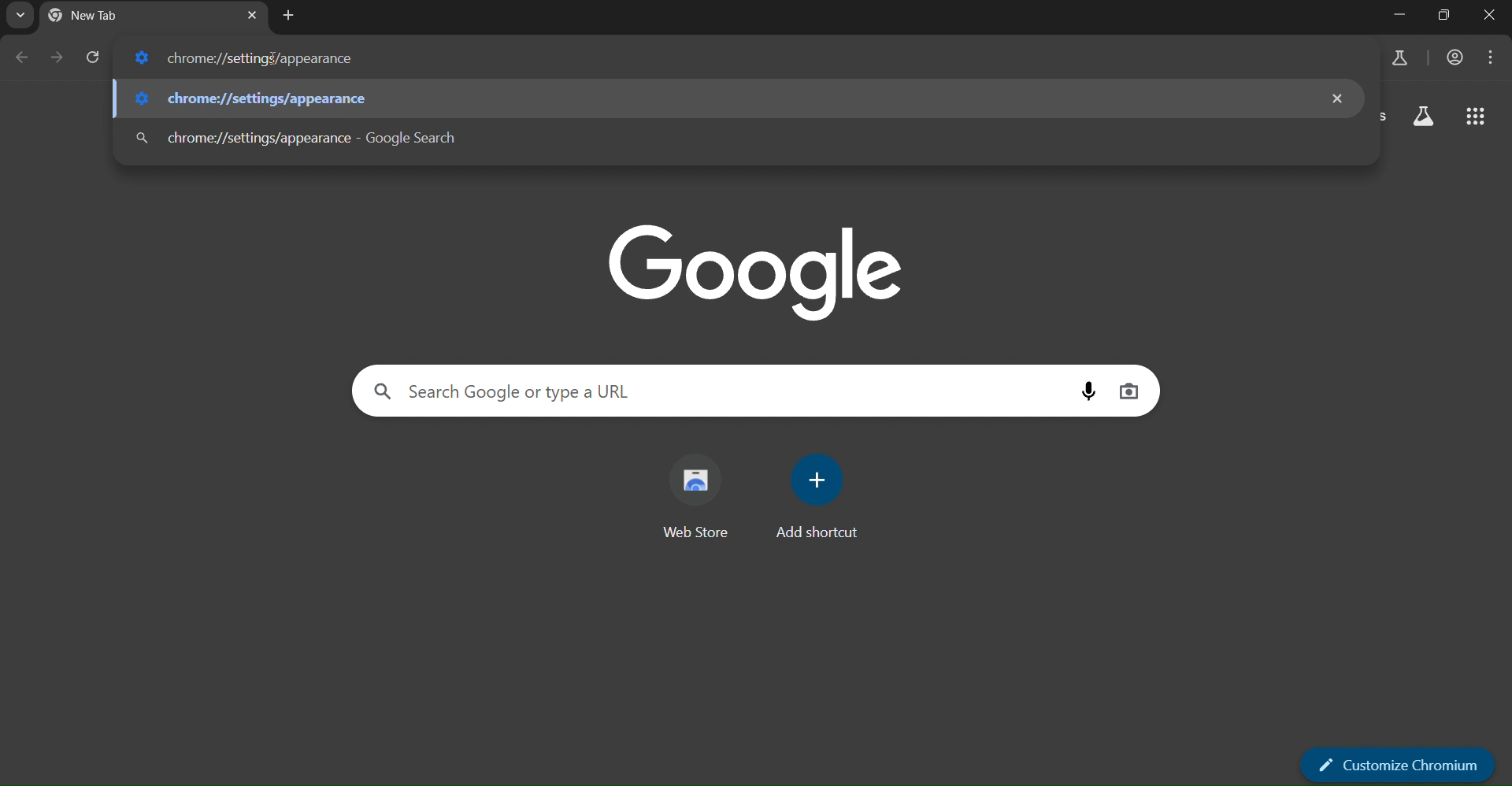 The height and width of the screenshot is (786, 1512). I want to click on chrome://settings/appearance, so click(254, 98).